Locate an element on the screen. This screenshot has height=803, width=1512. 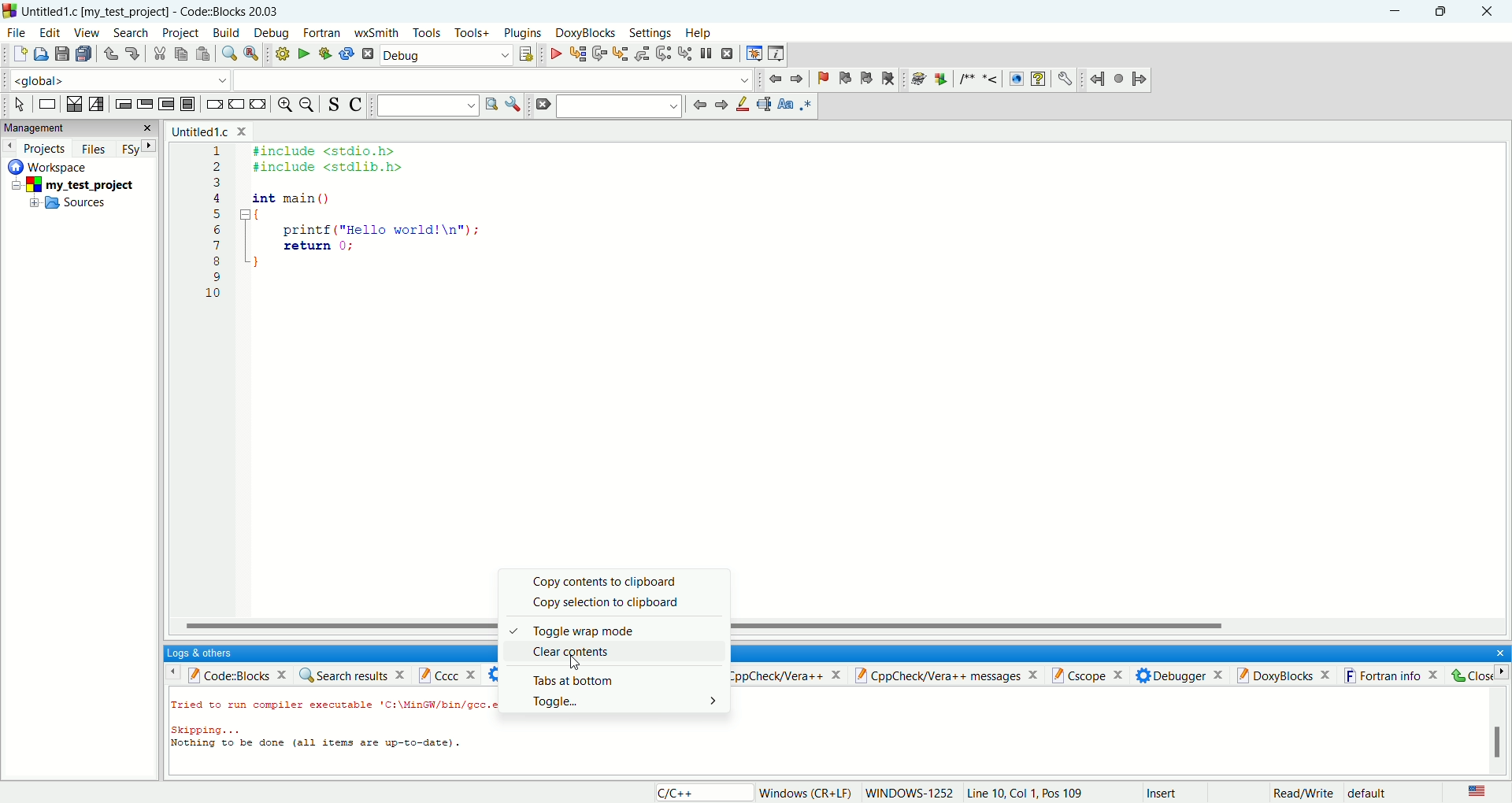
close is located at coordinates (1476, 675).